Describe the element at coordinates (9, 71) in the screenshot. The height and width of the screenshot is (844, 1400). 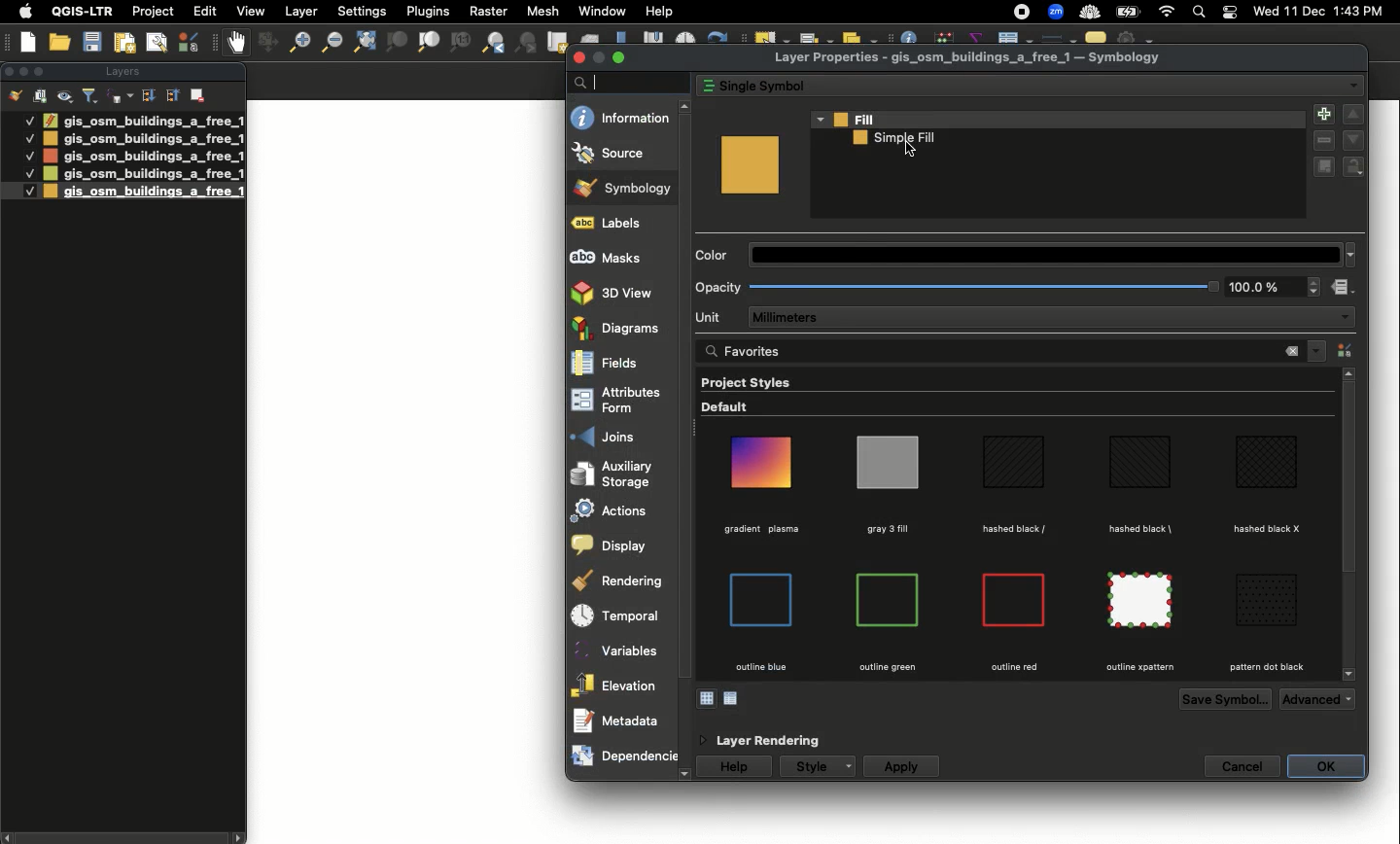
I see `Clsoe` at that location.